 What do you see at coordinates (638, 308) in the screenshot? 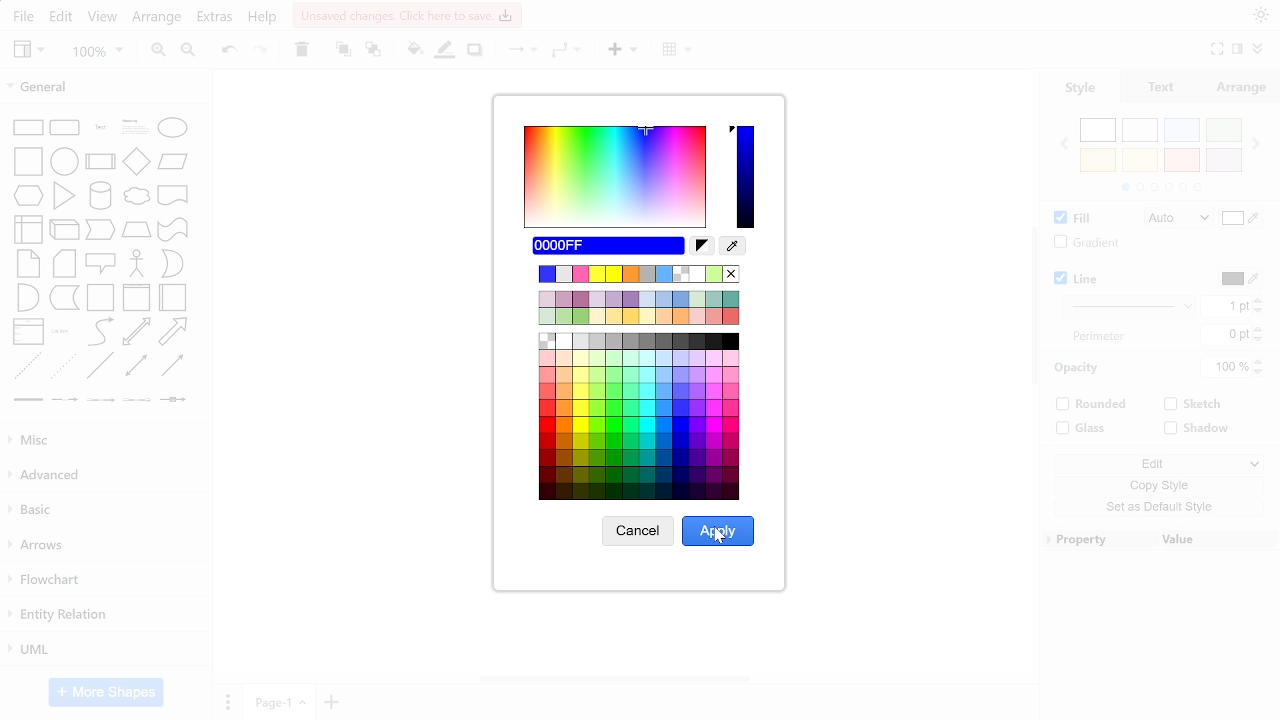
I see `other colors` at bounding box center [638, 308].